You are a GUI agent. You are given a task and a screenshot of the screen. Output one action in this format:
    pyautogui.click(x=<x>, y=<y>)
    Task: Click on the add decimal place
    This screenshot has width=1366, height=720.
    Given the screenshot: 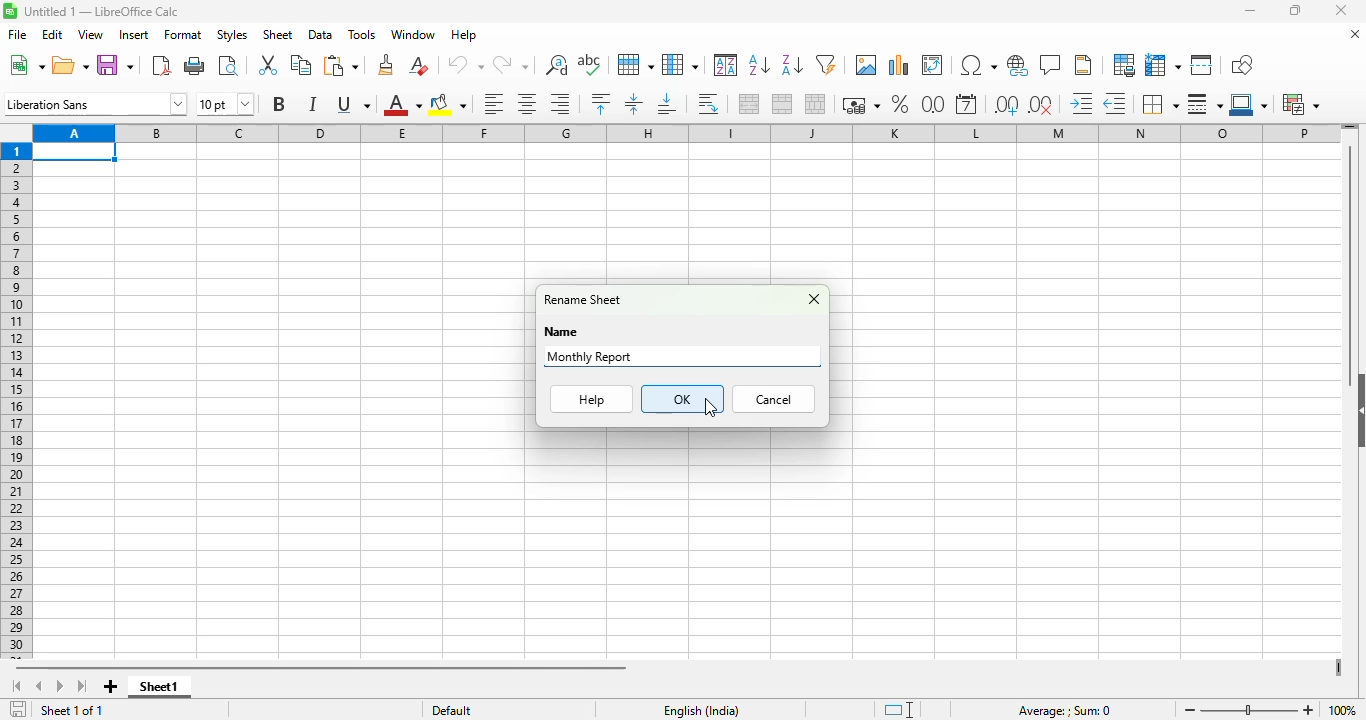 What is the action you would take?
    pyautogui.click(x=1006, y=105)
    